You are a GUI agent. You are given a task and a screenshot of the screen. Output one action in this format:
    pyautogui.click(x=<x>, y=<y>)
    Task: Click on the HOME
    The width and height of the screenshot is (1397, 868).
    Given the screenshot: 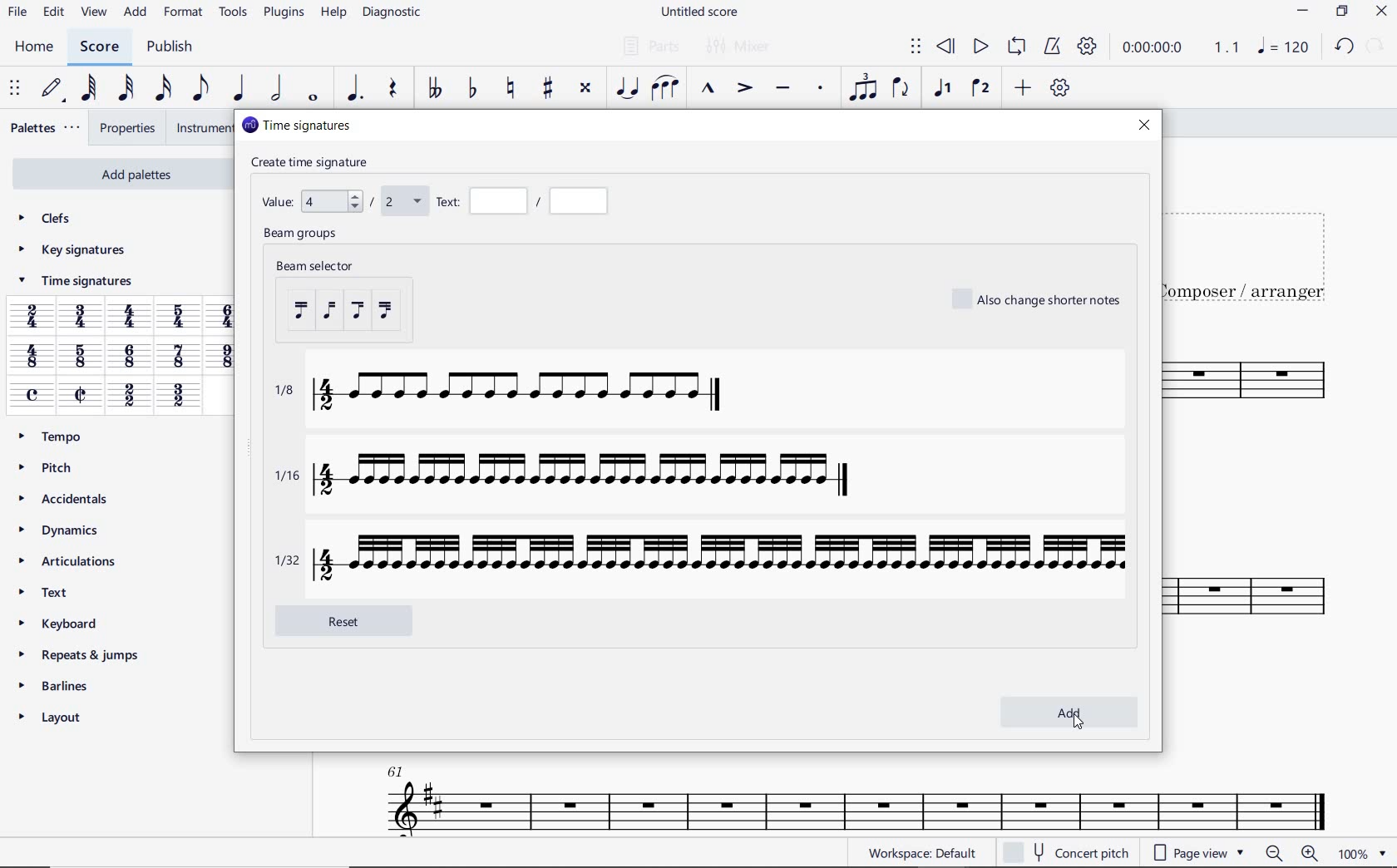 What is the action you would take?
    pyautogui.click(x=35, y=47)
    